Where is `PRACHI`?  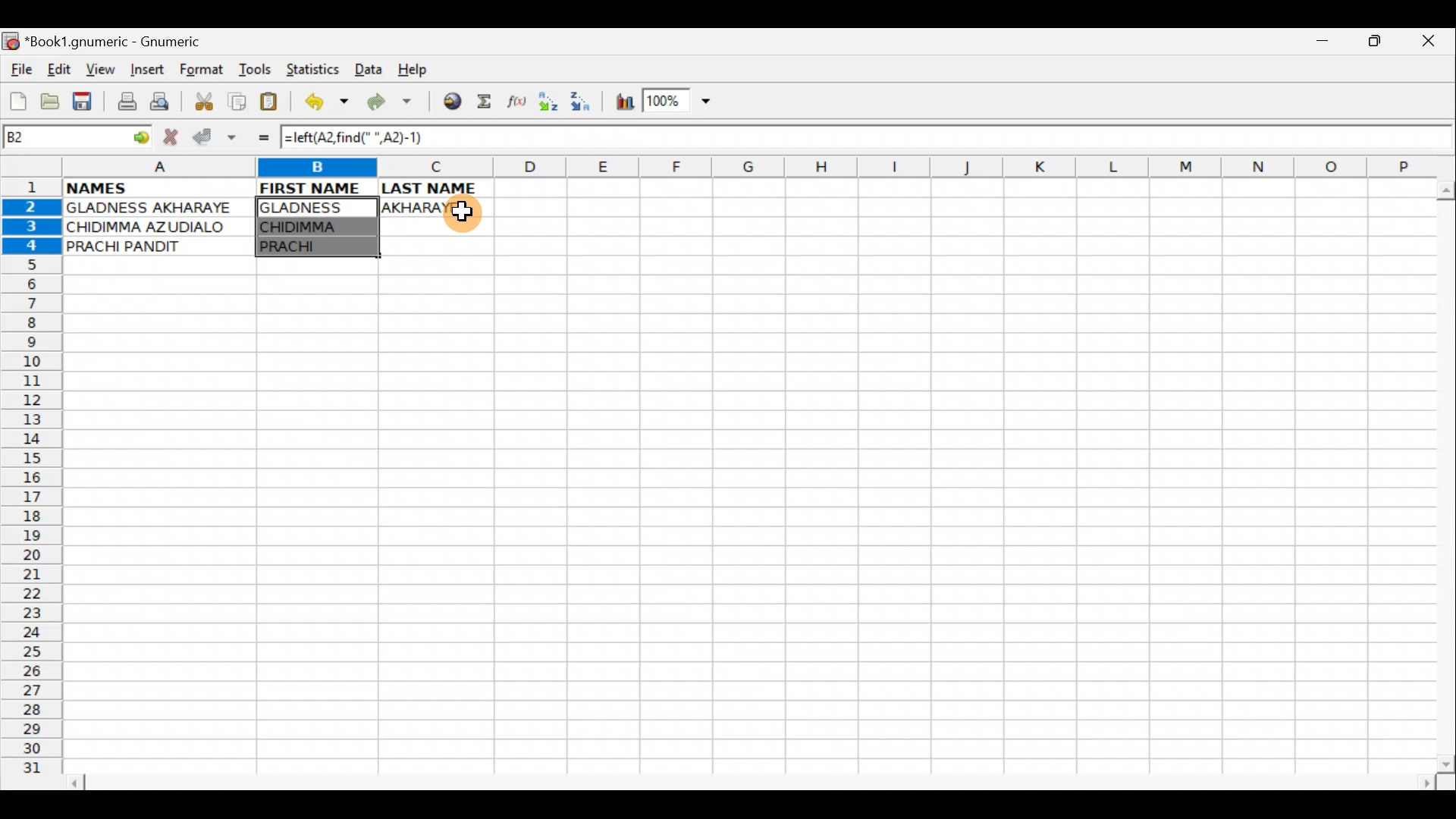 PRACHI is located at coordinates (317, 243).